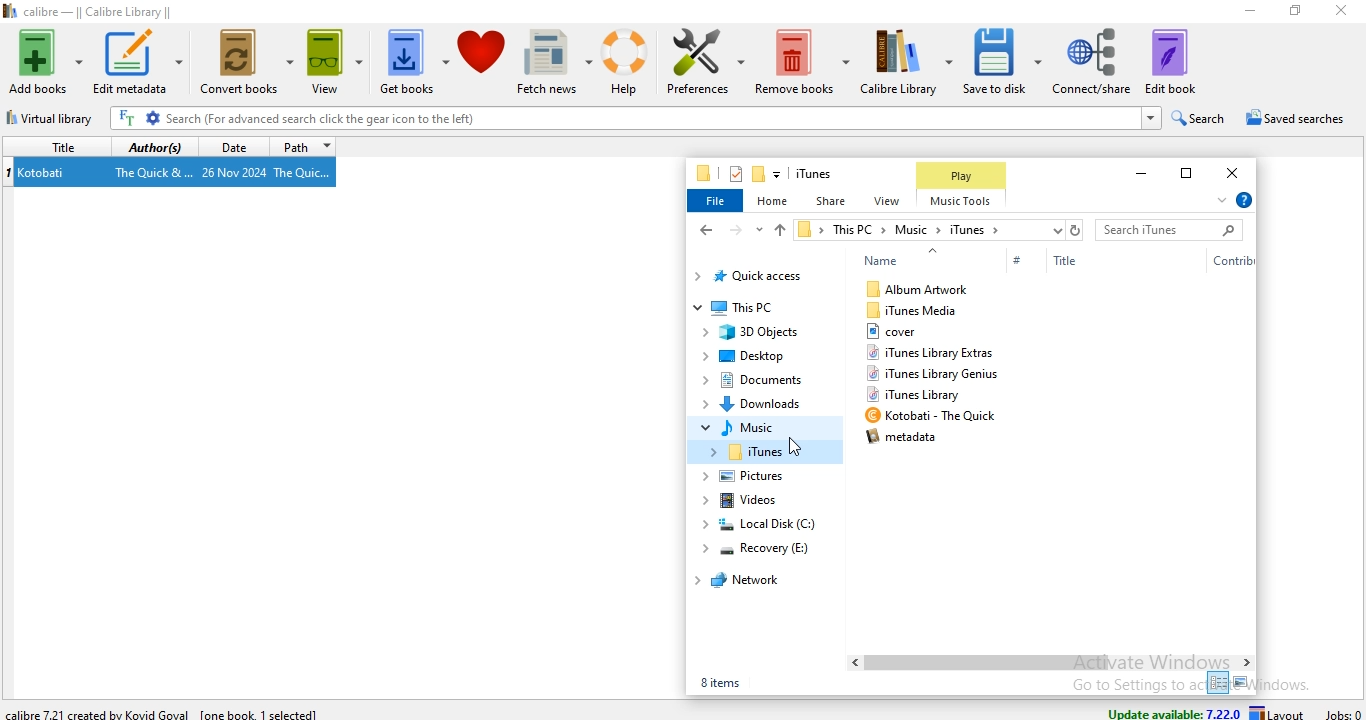  I want to click on up file path, so click(778, 230).